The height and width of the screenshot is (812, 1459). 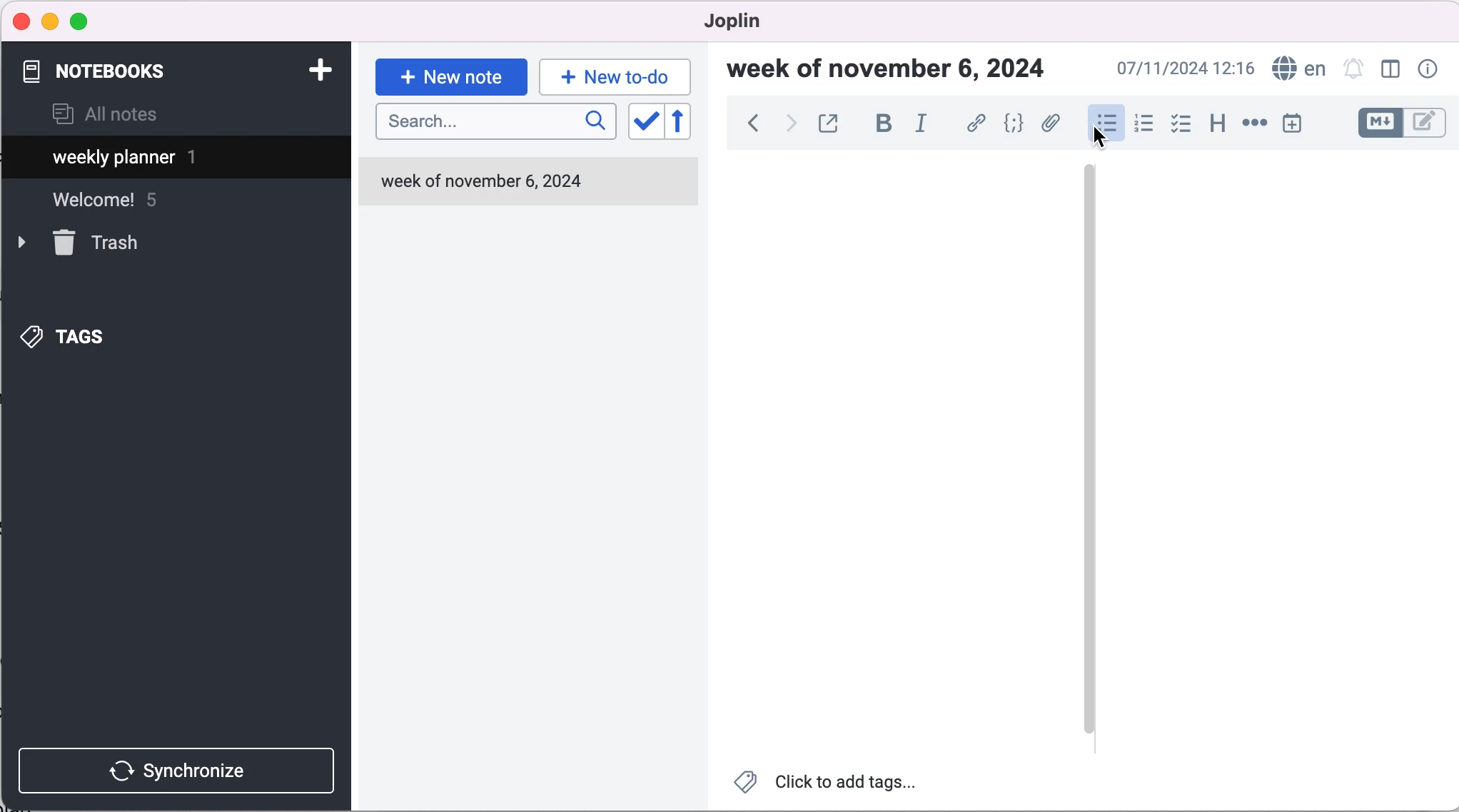 What do you see at coordinates (836, 785) in the screenshot?
I see `click to add tags` at bounding box center [836, 785].